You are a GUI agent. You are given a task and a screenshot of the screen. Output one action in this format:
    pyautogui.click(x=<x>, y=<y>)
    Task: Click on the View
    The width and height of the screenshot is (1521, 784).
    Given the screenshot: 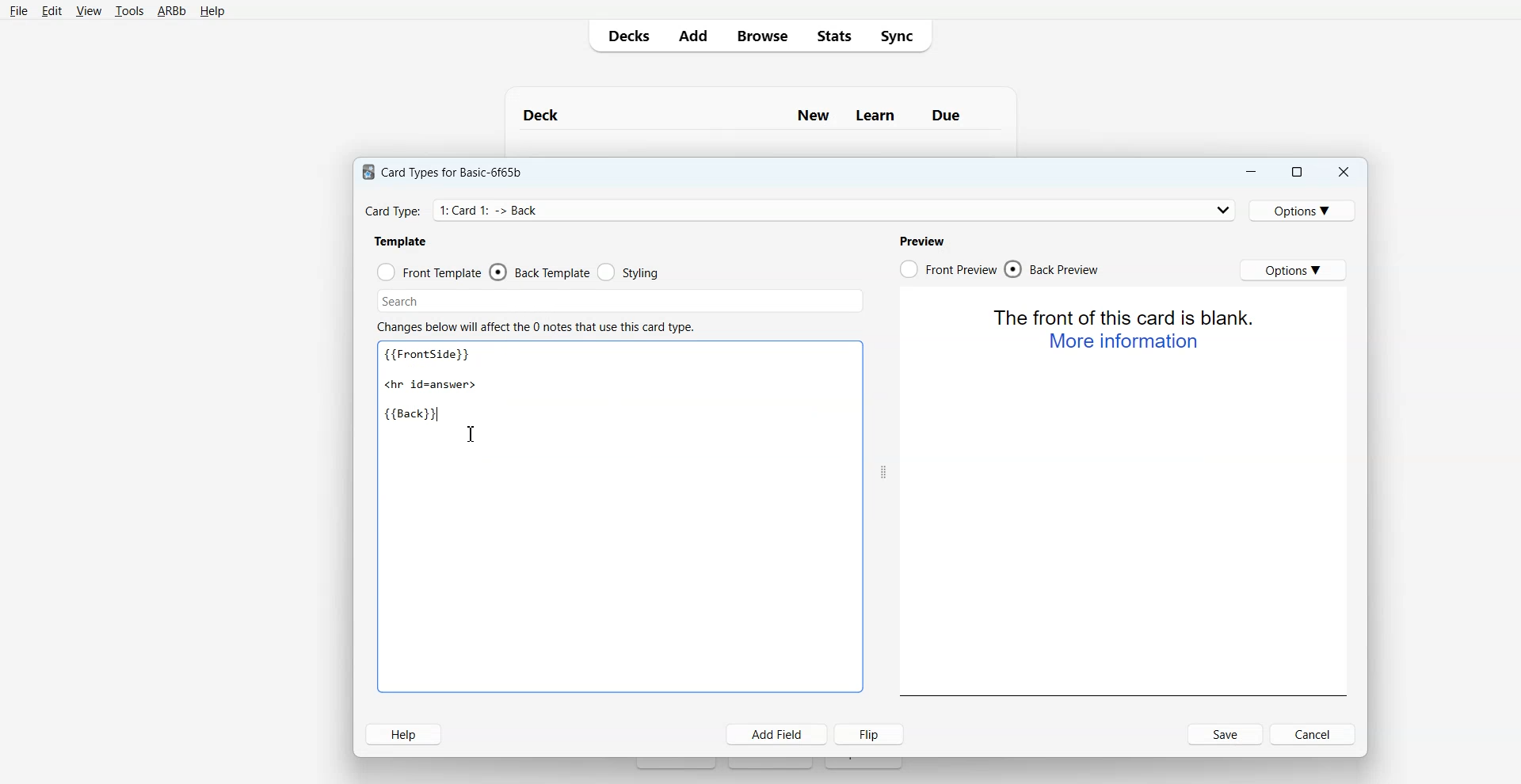 What is the action you would take?
    pyautogui.click(x=87, y=10)
    